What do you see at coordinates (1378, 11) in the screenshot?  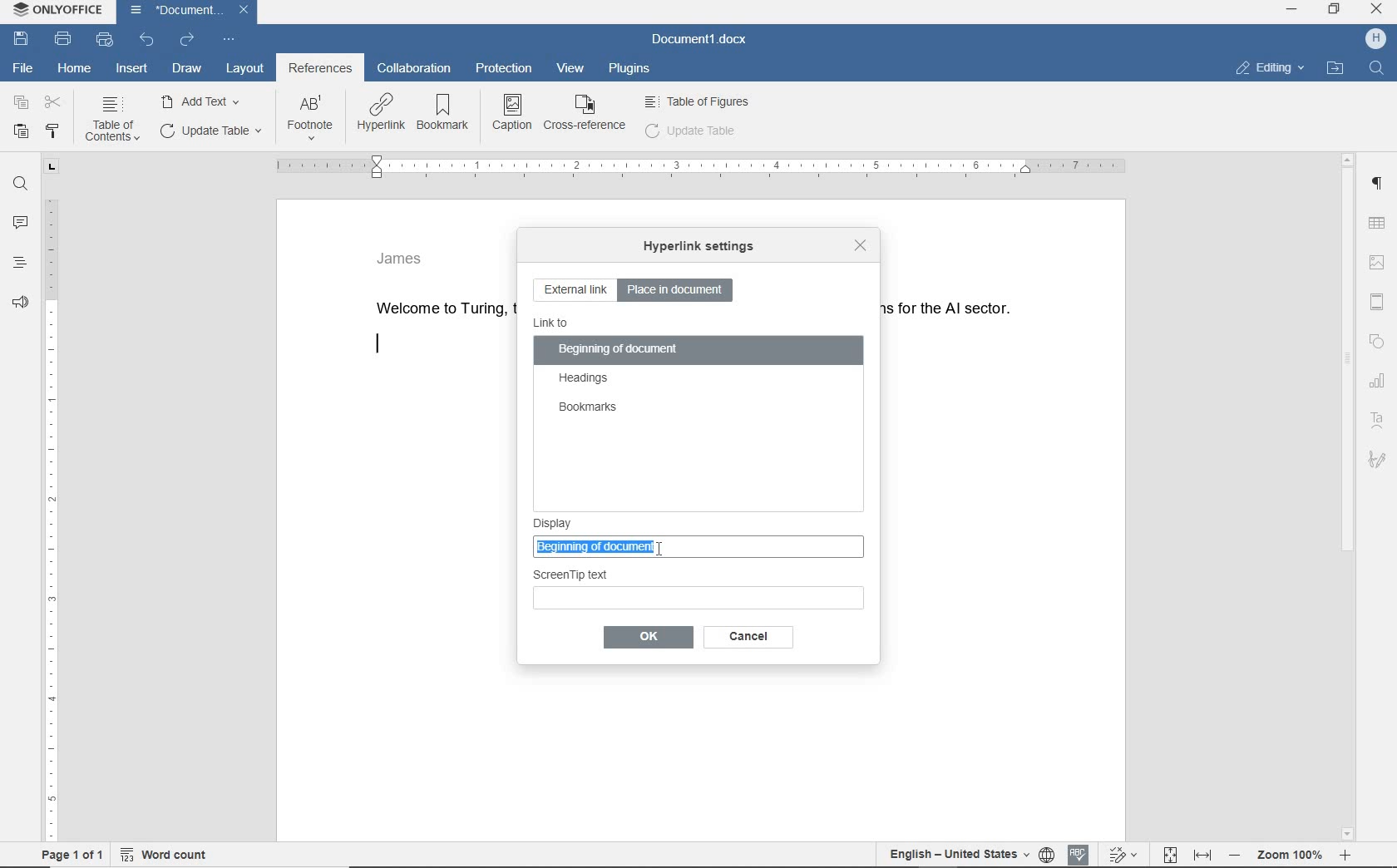 I see `Close` at bounding box center [1378, 11].